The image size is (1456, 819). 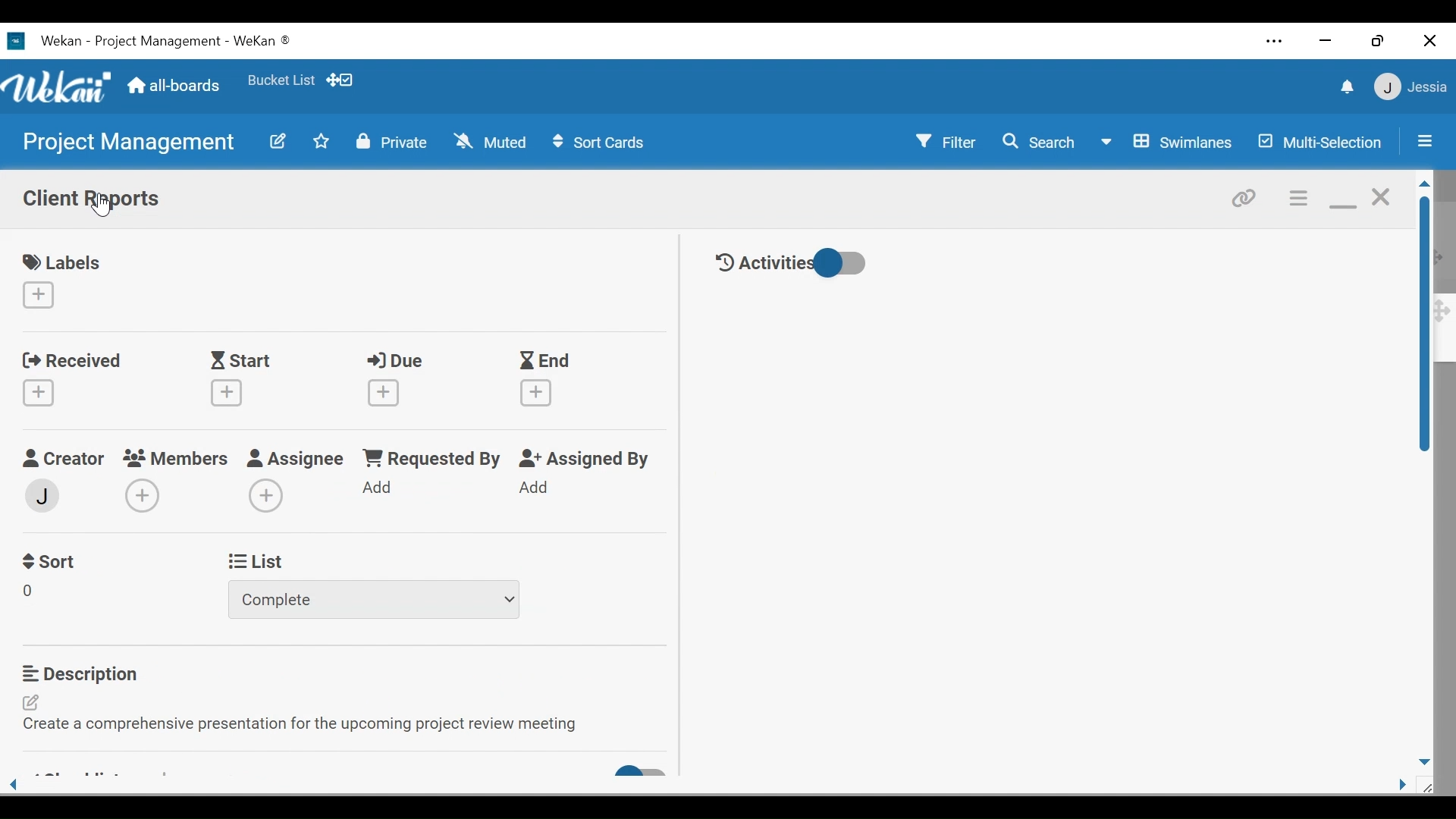 What do you see at coordinates (1341, 199) in the screenshot?
I see `minimize` at bounding box center [1341, 199].